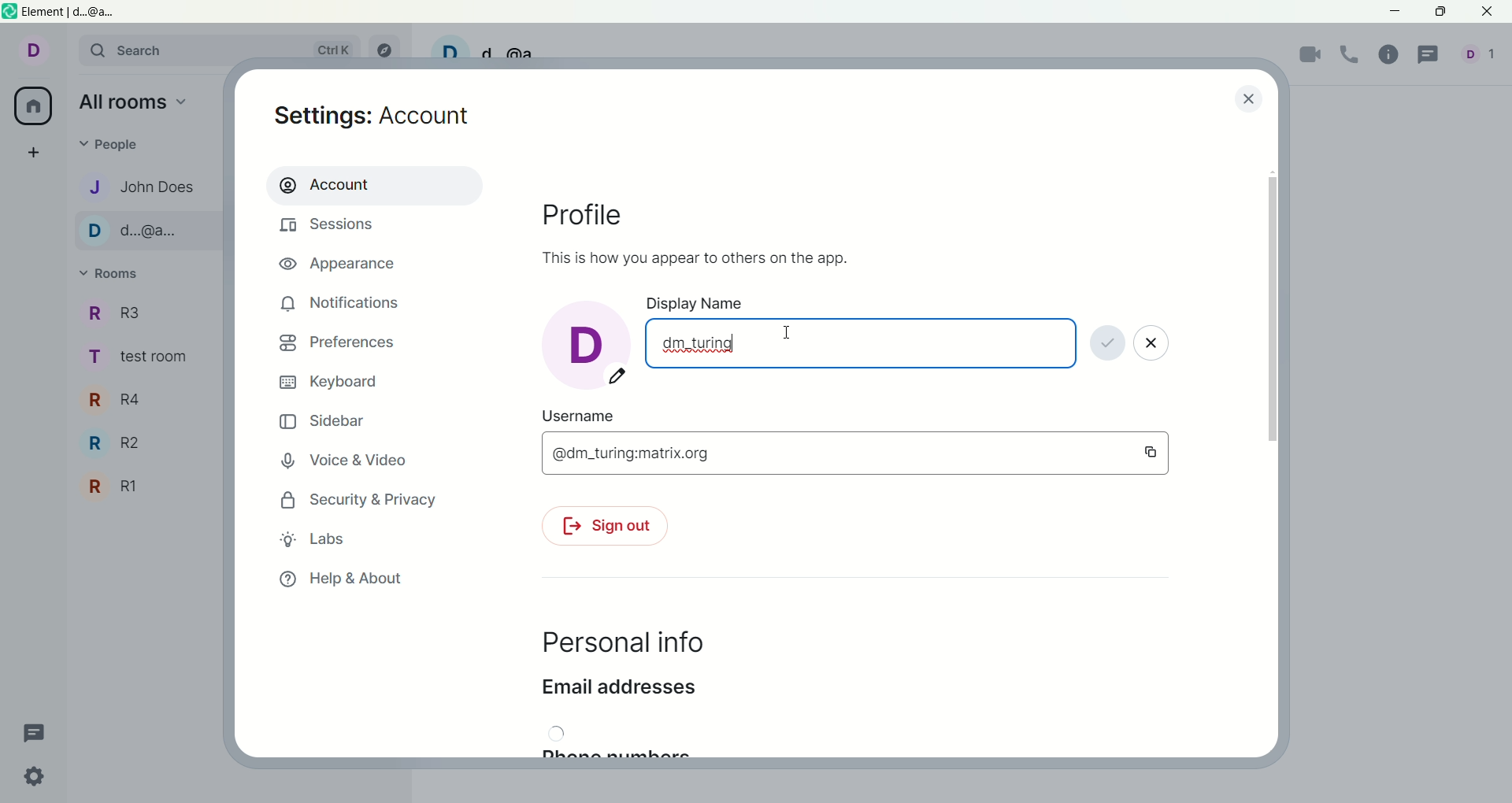  What do you see at coordinates (31, 107) in the screenshot?
I see `all room` at bounding box center [31, 107].